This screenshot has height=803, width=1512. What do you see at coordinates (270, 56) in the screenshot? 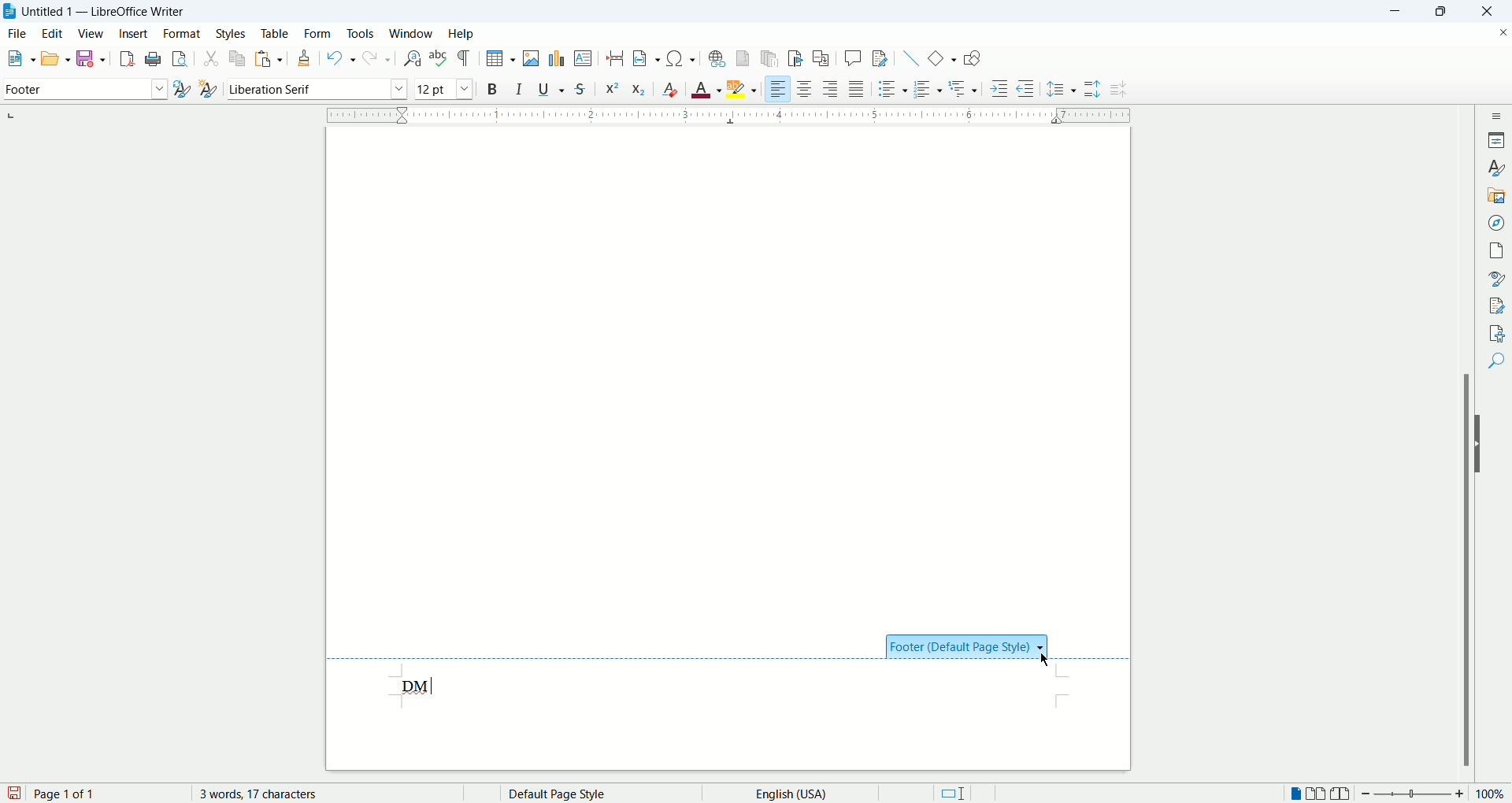
I see `paste` at bounding box center [270, 56].